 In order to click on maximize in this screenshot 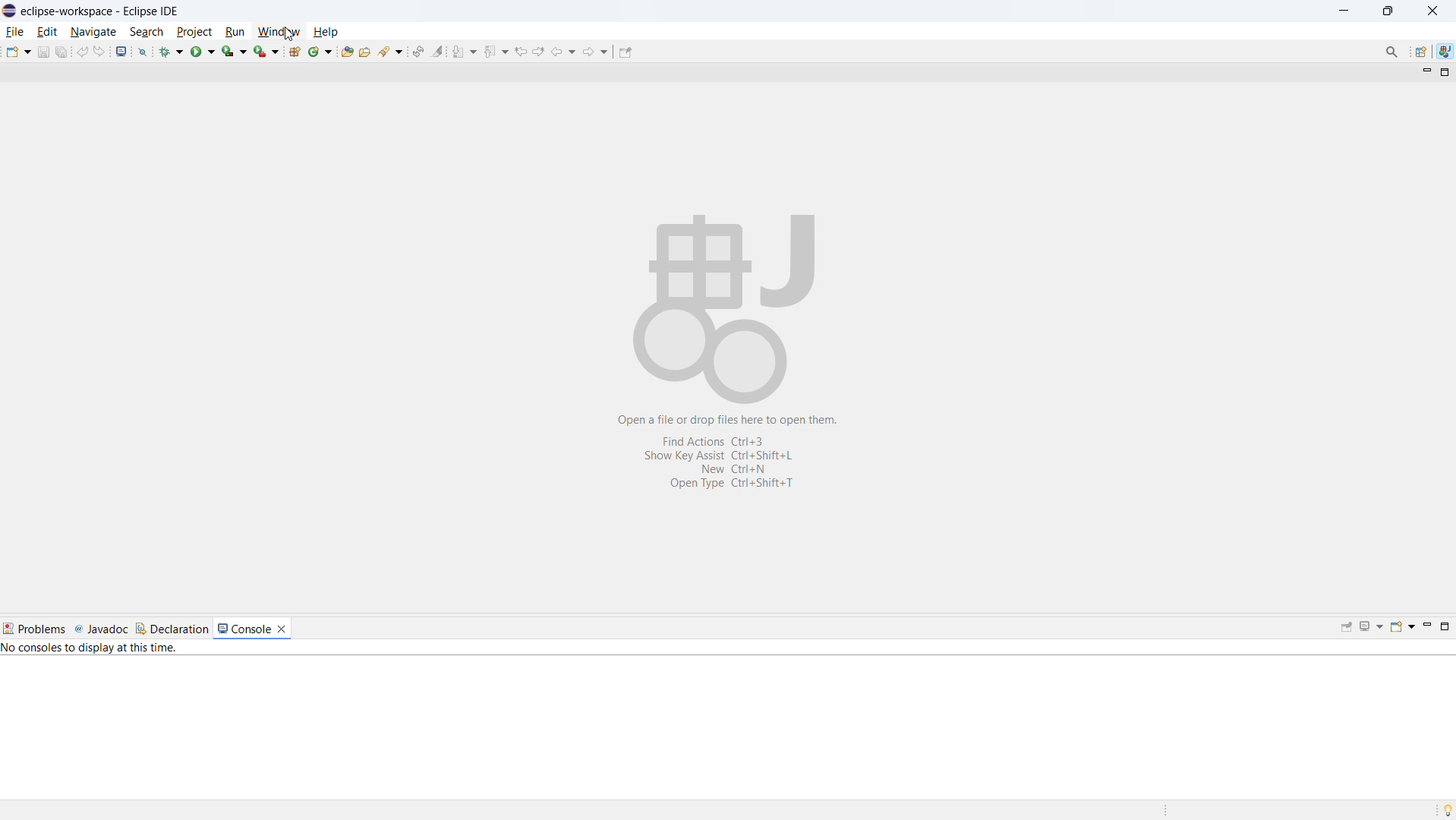, I will do `click(1388, 11)`.